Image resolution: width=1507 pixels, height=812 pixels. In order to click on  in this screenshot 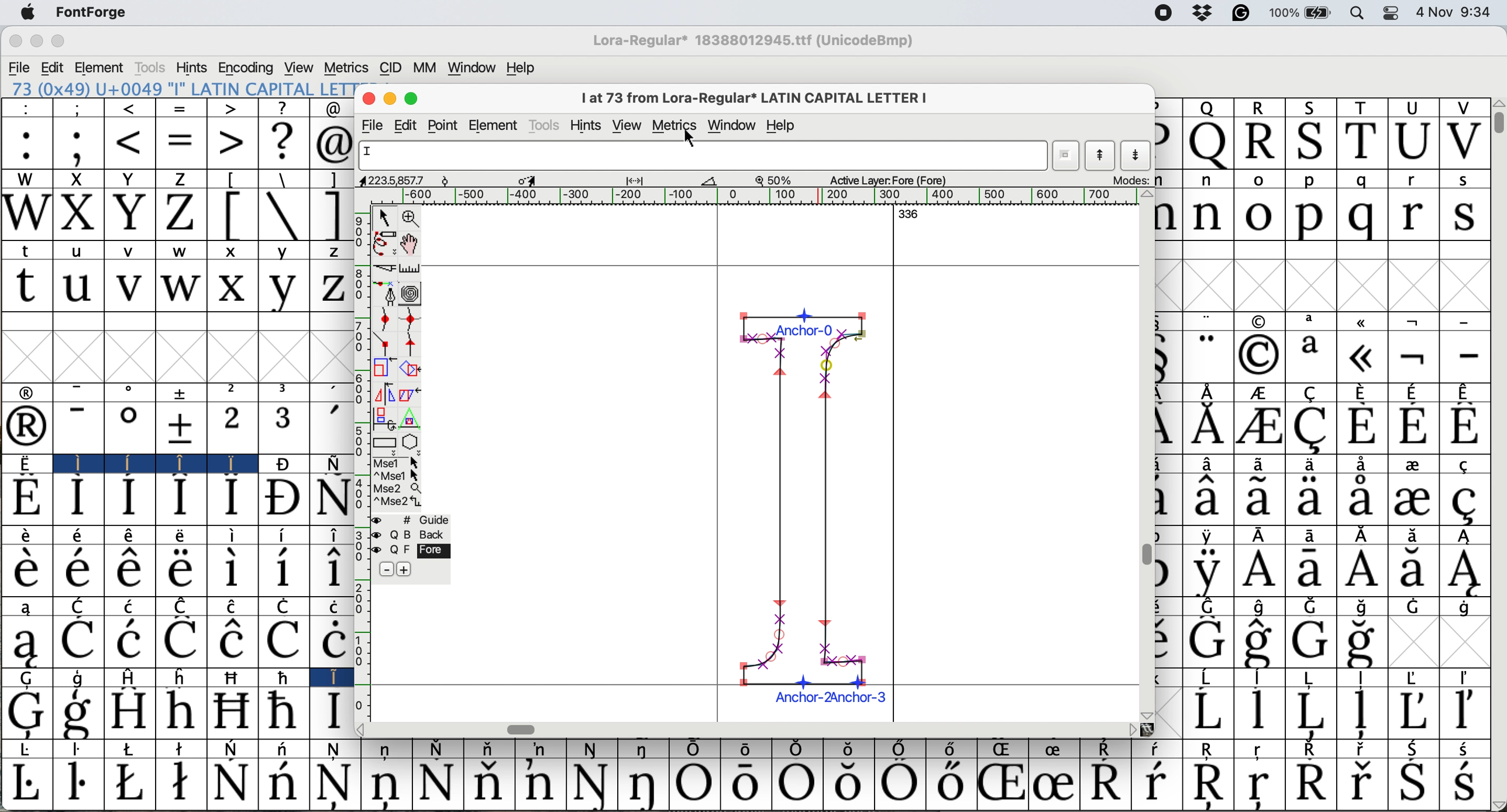, I will do `click(378, 532)`.